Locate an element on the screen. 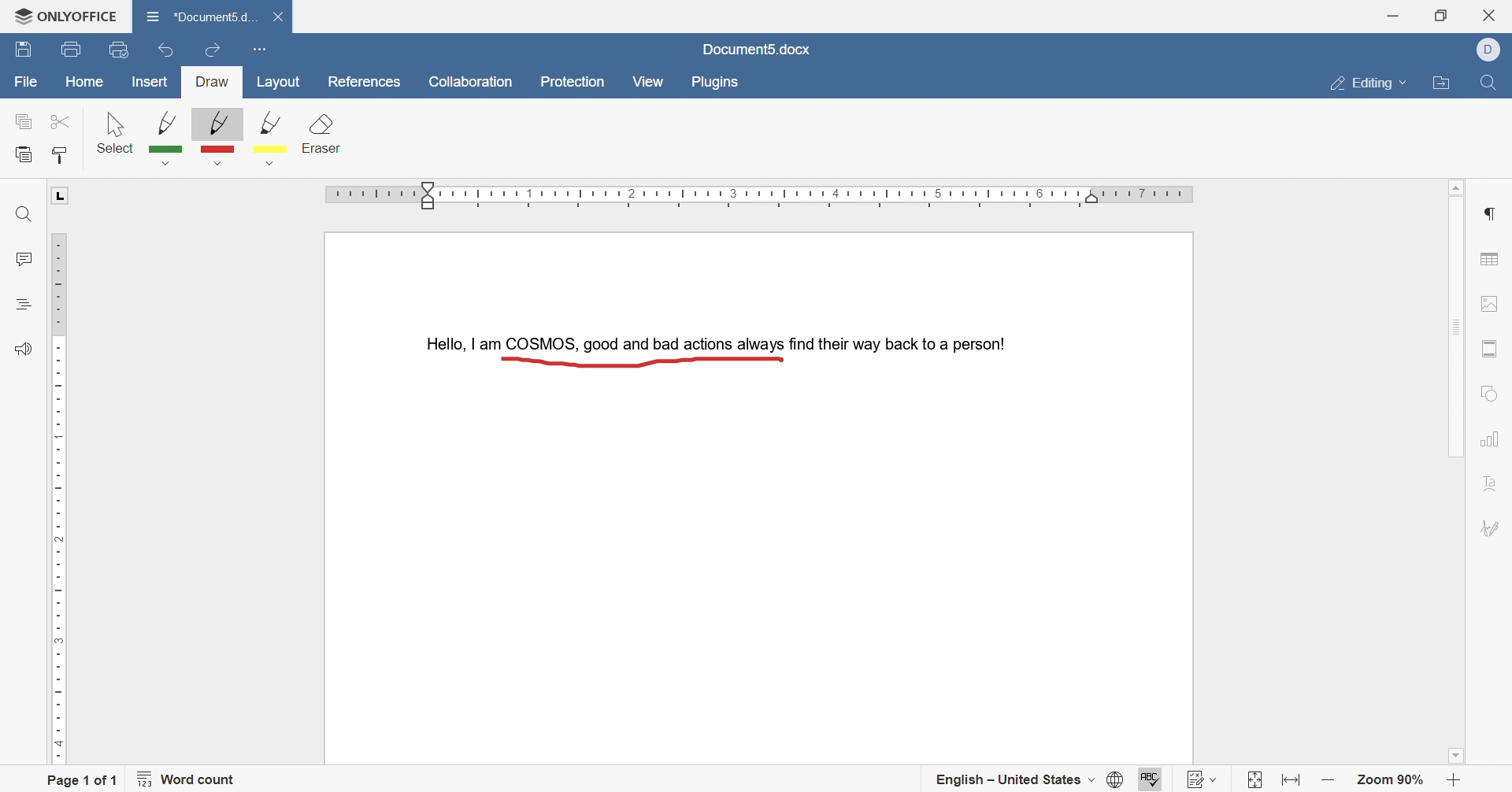 This screenshot has width=1512, height=792. ruler is located at coordinates (57, 495).